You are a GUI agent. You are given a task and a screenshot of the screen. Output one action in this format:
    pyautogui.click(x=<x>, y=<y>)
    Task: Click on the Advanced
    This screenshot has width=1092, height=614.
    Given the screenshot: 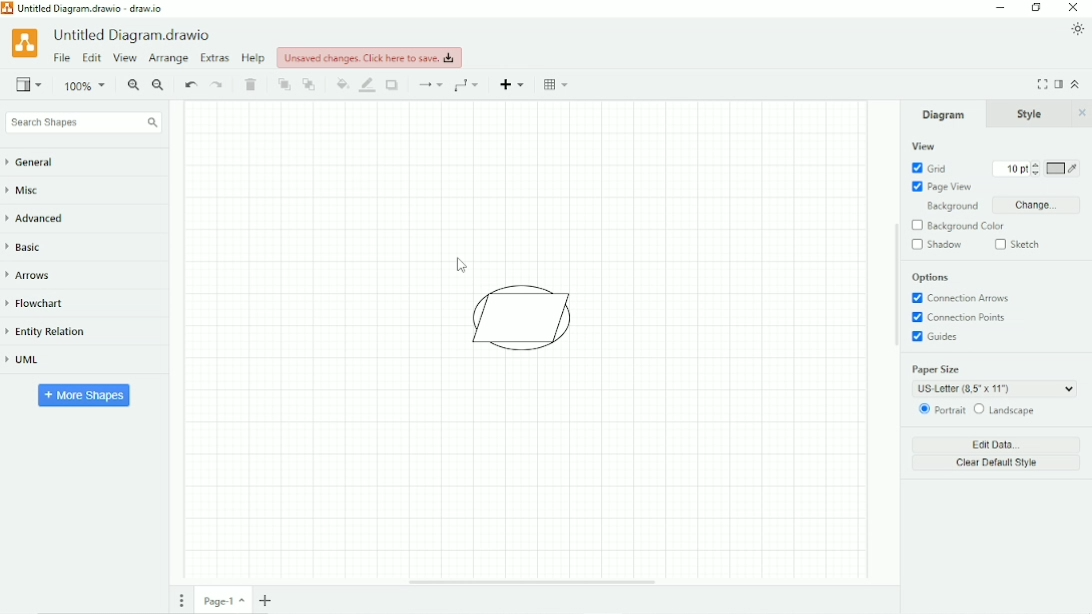 What is the action you would take?
    pyautogui.click(x=42, y=218)
    